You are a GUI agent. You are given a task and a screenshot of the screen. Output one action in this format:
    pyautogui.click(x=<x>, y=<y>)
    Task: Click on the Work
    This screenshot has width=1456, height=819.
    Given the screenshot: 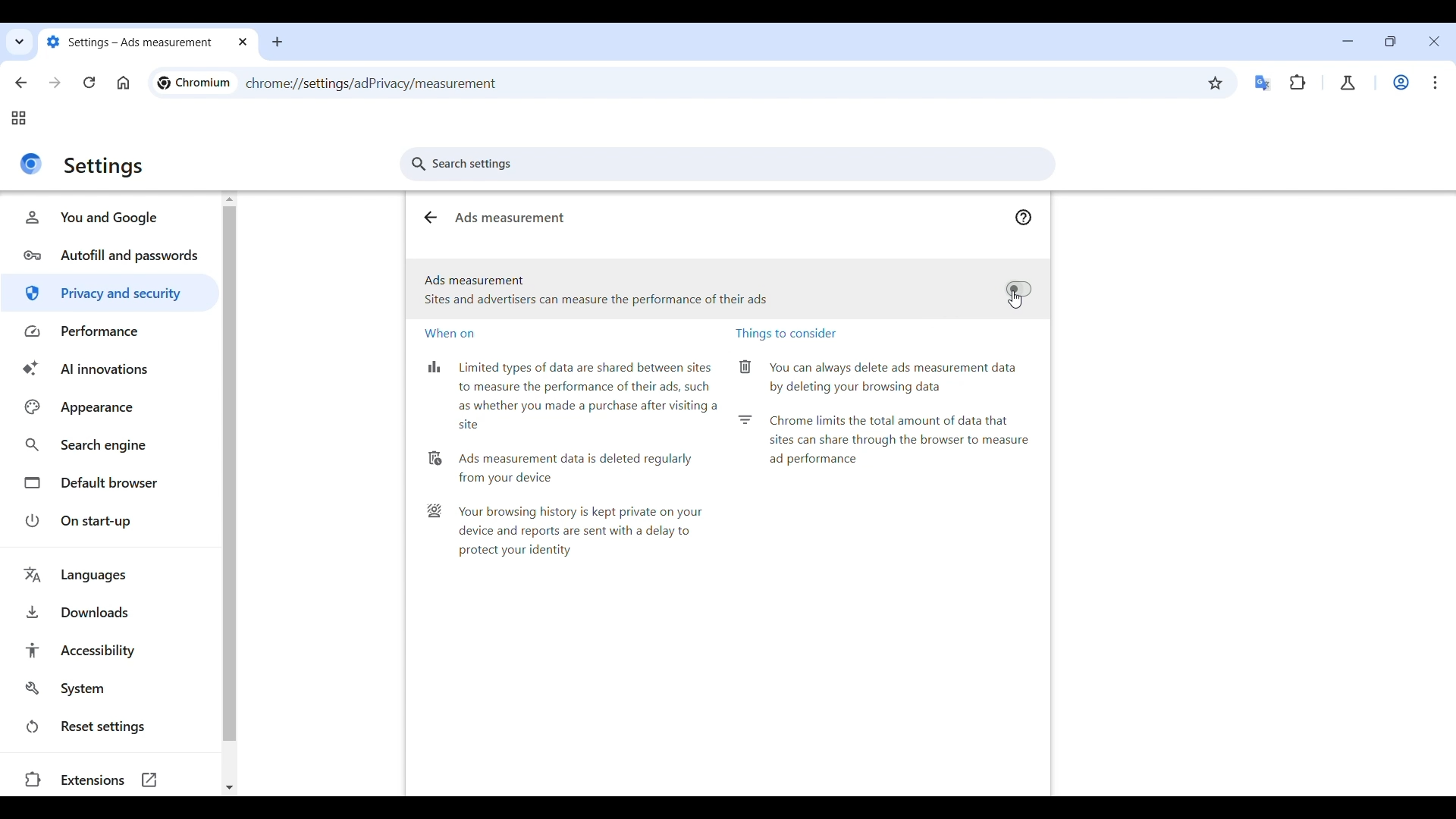 What is the action you would take?
    pyautogui.click(x=1401, y=82)
    